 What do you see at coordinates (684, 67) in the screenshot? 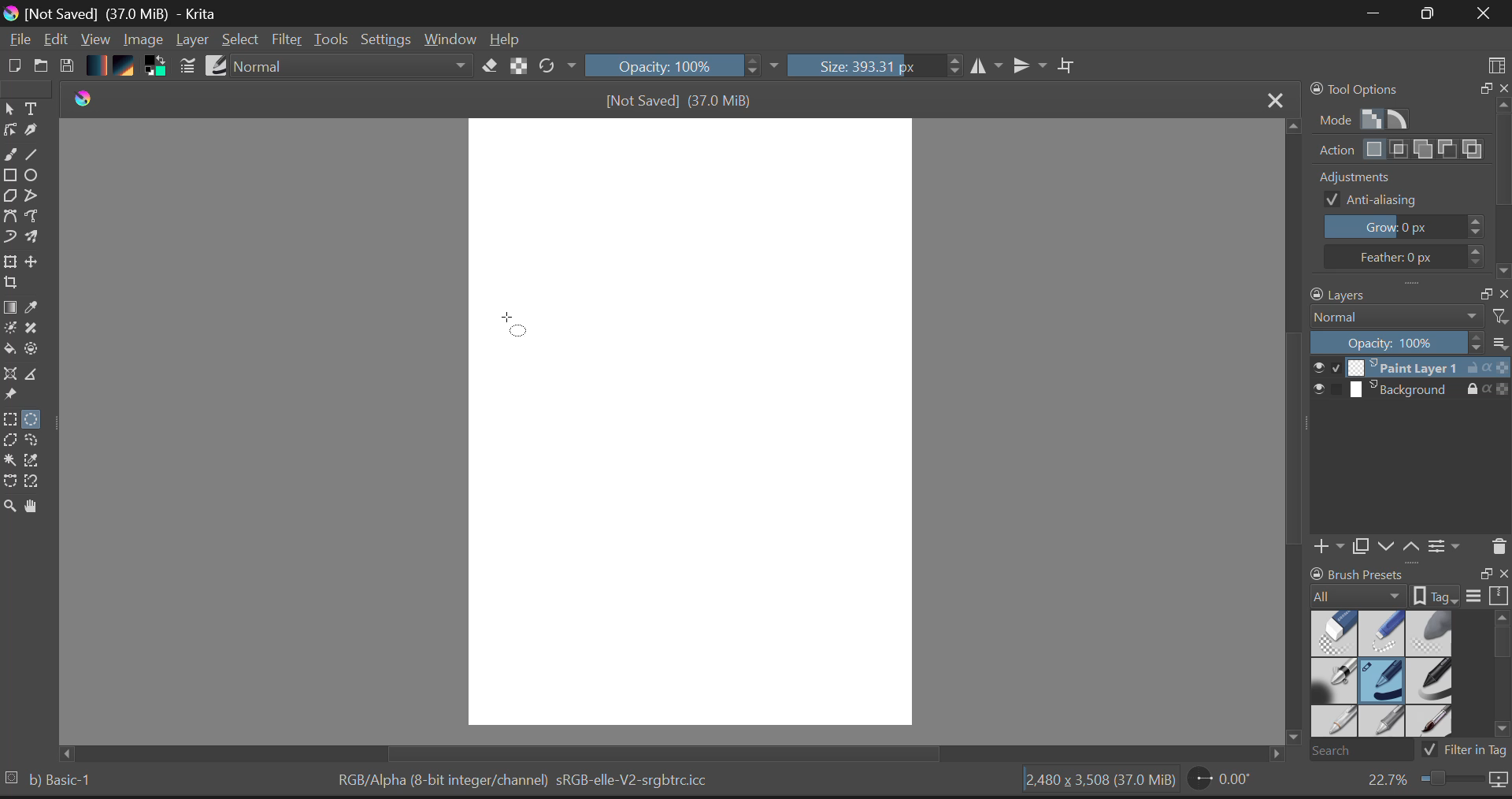
I see `Opacity` at bounding box center [684, 67].